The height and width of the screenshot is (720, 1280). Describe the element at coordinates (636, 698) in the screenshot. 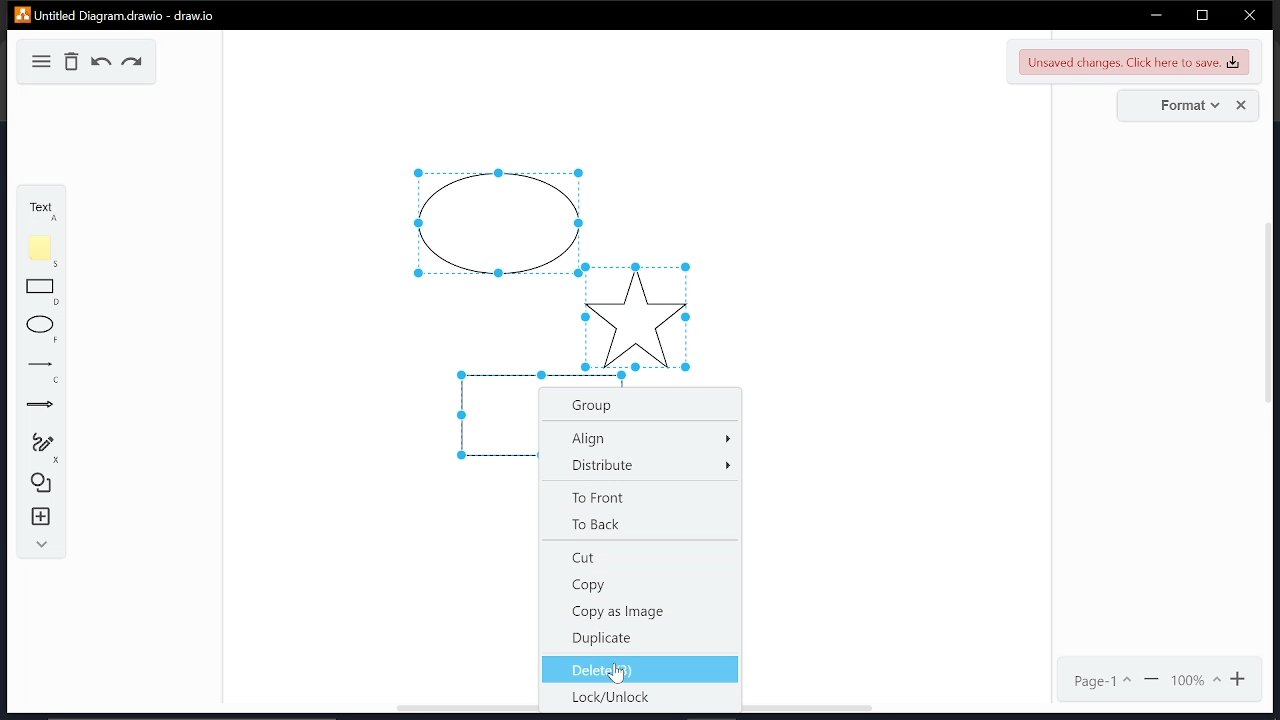

I see `lock/unlock` at that location.